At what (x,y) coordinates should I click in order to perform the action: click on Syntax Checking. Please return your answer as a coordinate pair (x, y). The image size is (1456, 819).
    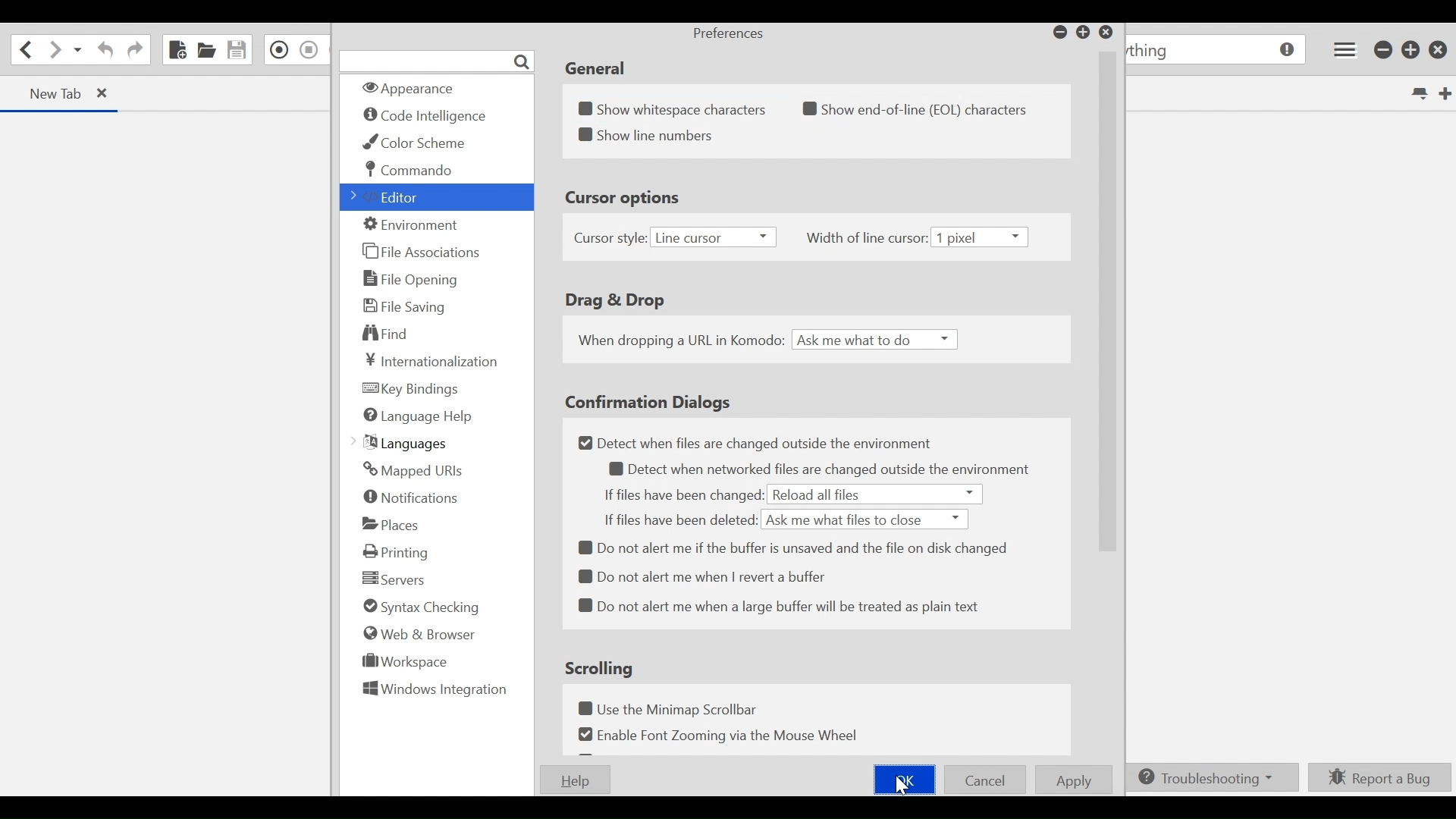
    Looking at the image, I should click on (420, 607).